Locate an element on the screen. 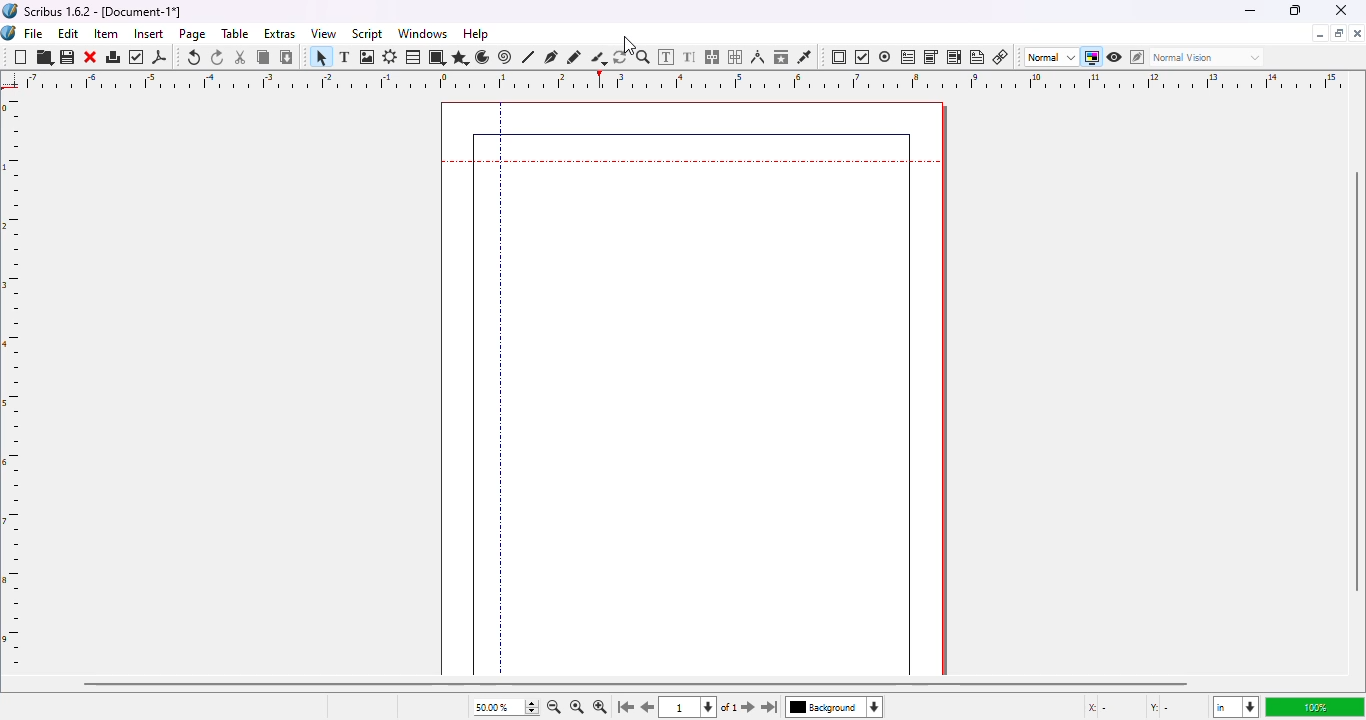 This screenshot has height=720, width=1366. edit text with story editor is located at coordinates (690, 57).